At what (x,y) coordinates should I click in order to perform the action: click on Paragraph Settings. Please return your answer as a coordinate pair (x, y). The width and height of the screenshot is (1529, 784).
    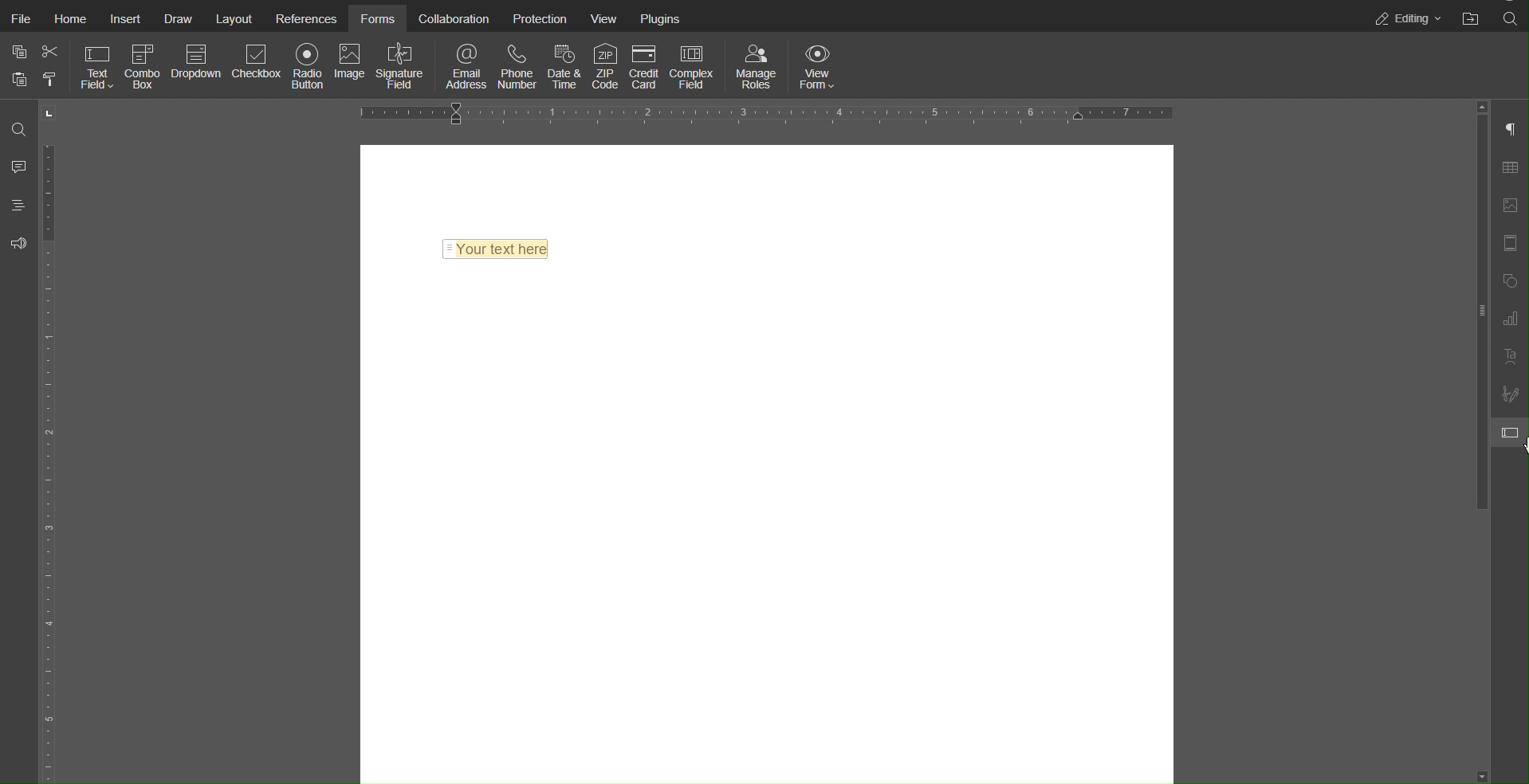
    Looking at the image, I should click on (1509, 129).